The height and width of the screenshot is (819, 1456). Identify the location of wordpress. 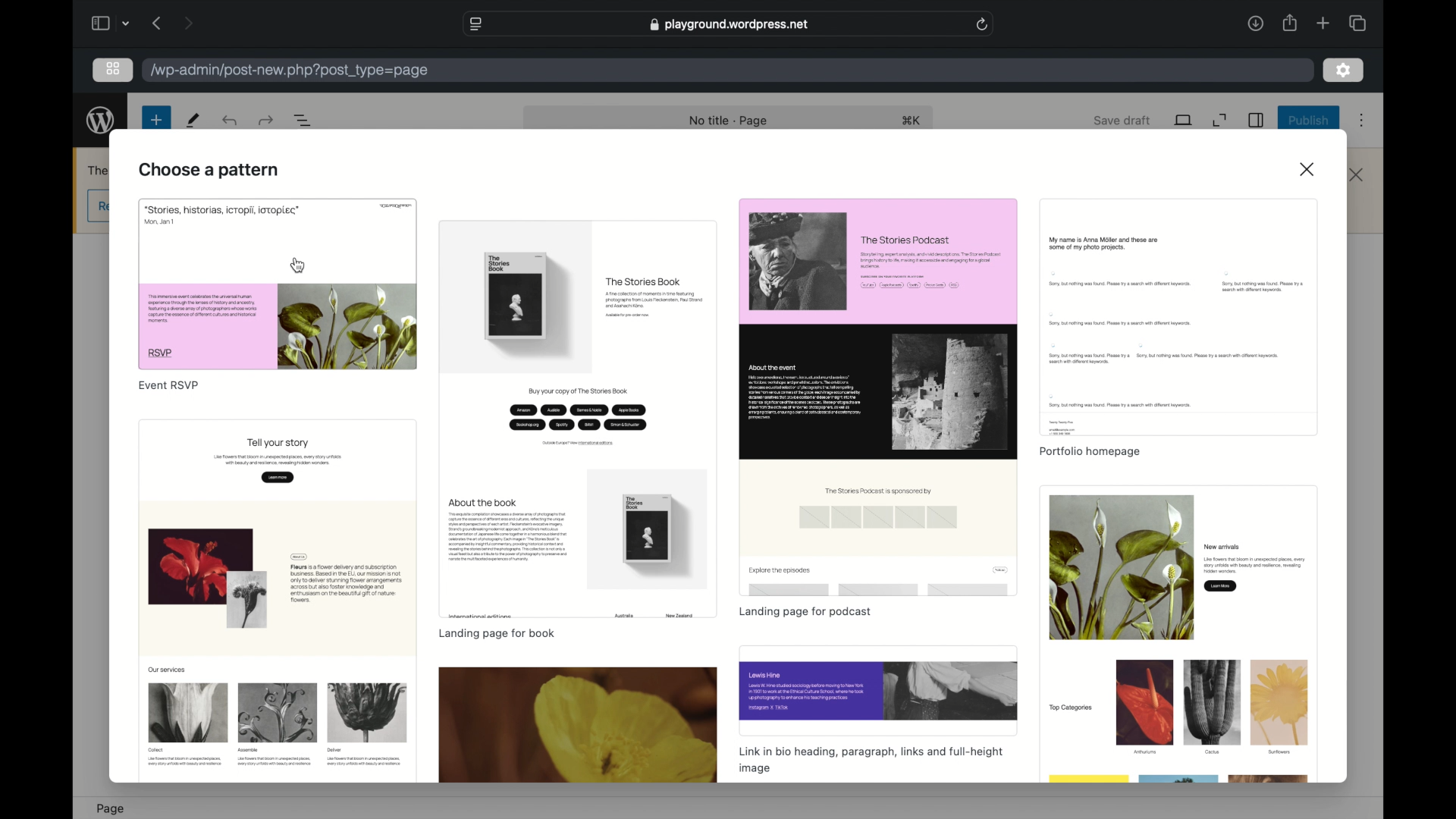
(100, 120).